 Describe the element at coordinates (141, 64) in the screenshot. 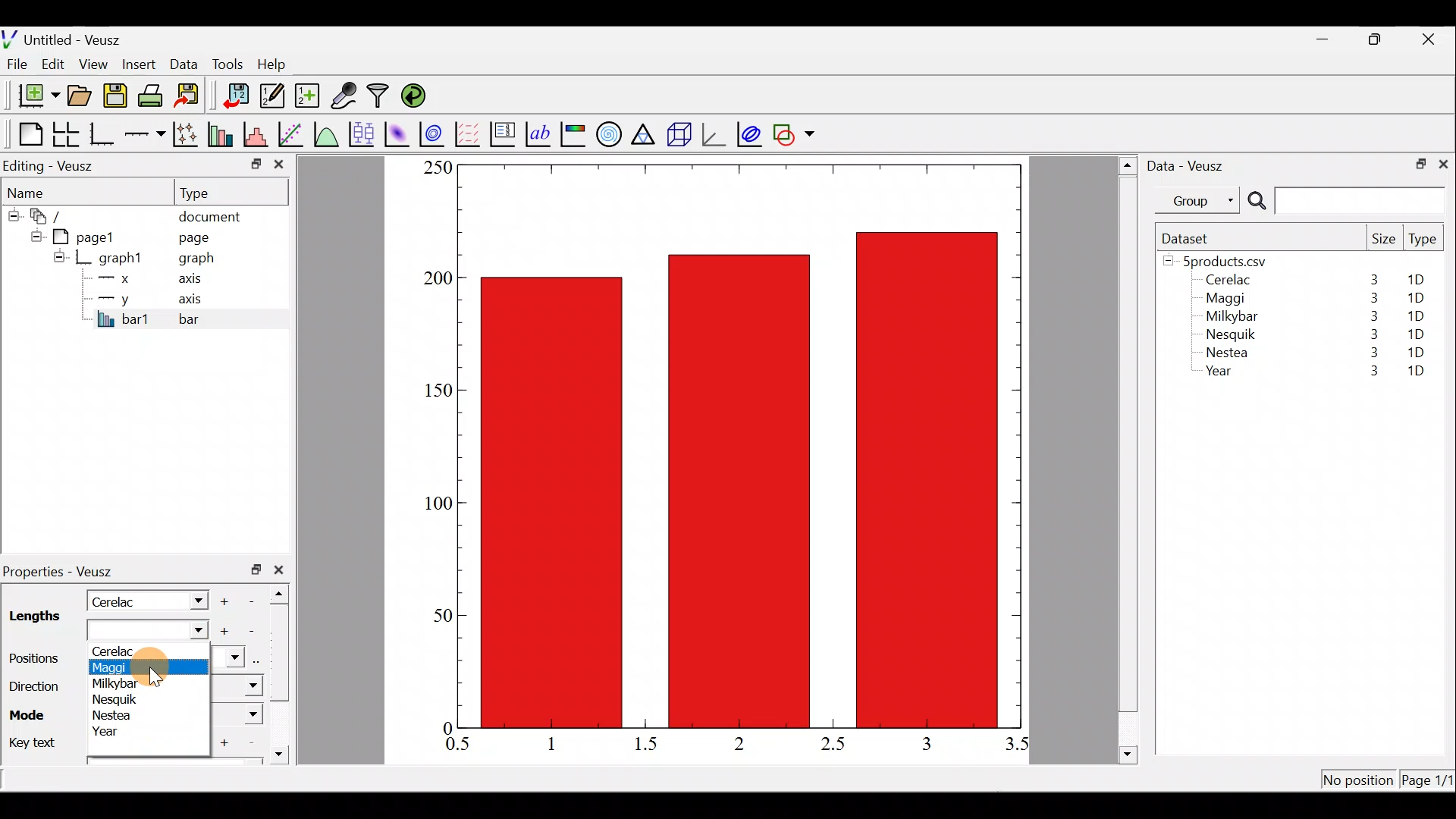

I see `Insert` at that location.